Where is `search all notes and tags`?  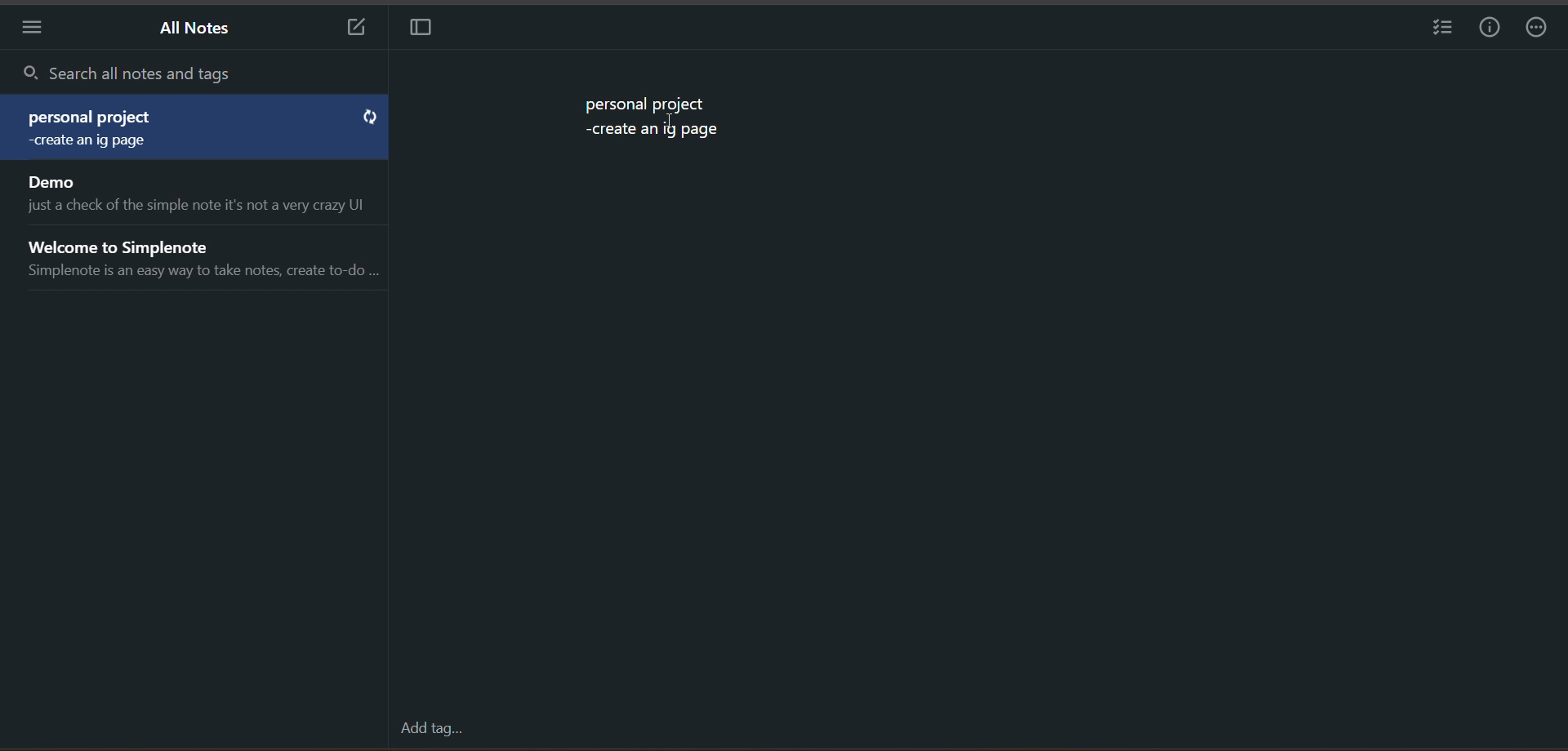
search all notes and tags is located at coordinates (201, 74).